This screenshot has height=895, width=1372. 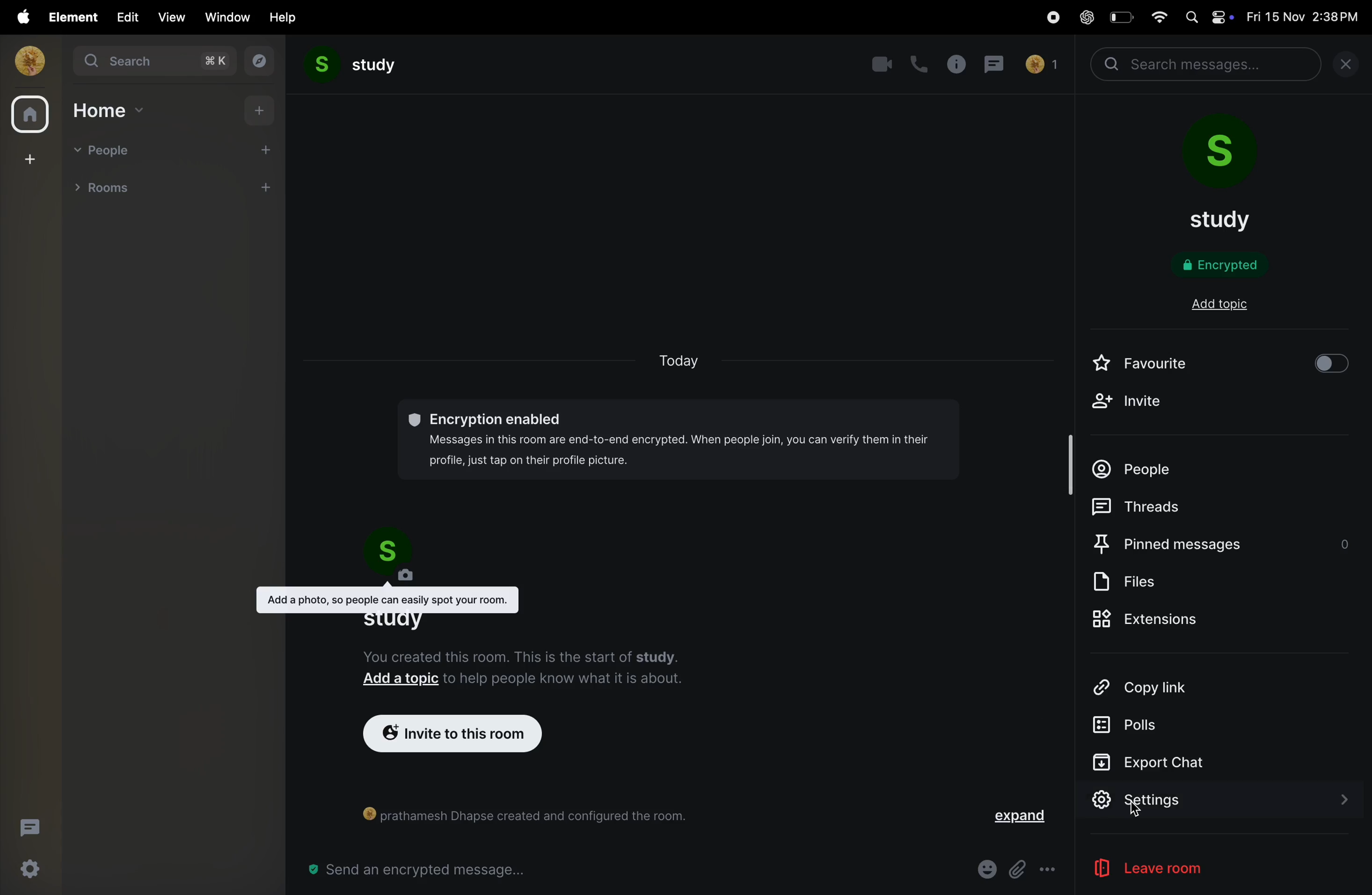 What do you see at coordinates (111, 110) in the screenshot?
I see `home` at bounding box center [111, 110].